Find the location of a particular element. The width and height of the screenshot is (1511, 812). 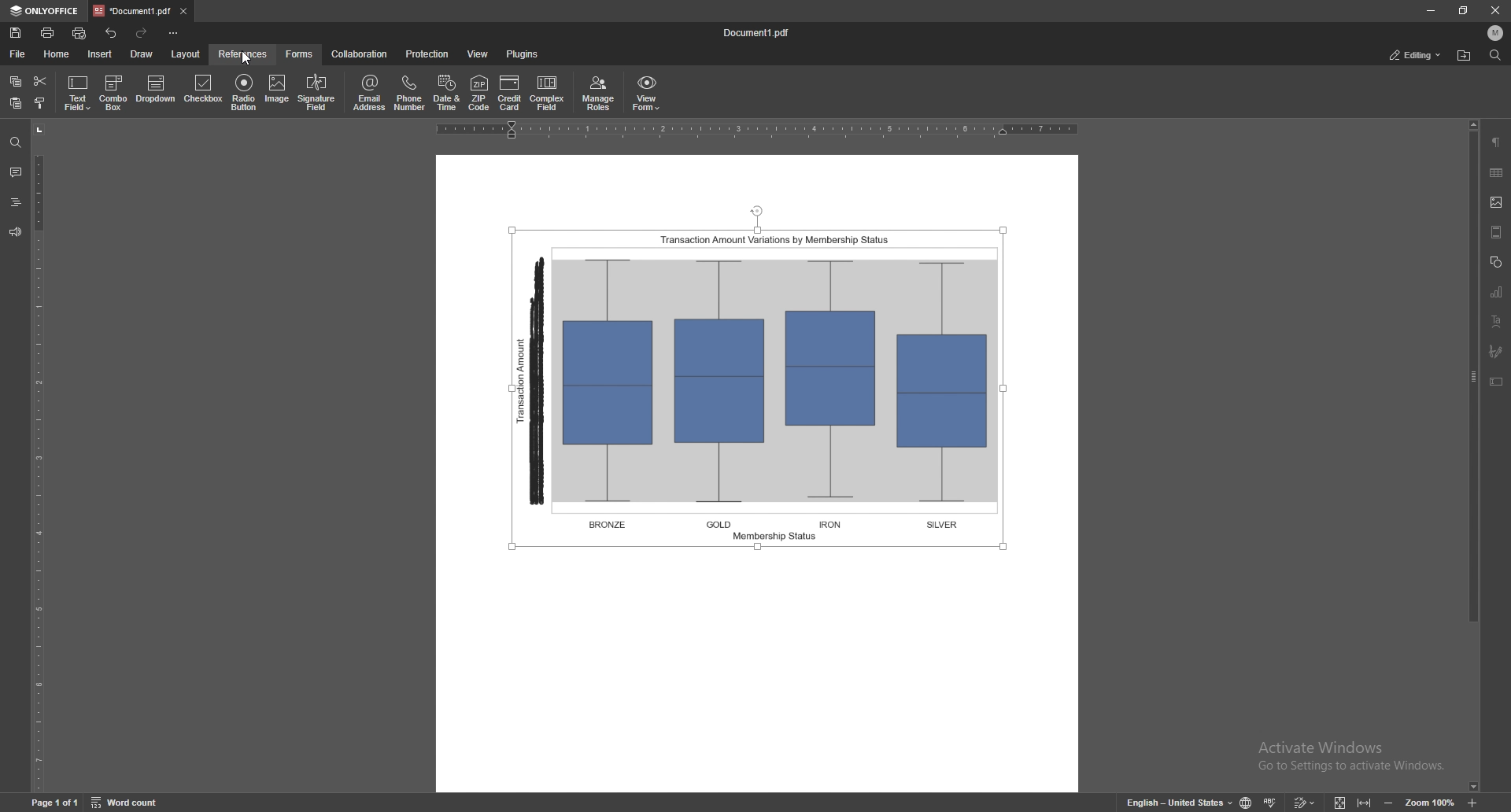

combo box is located at coordinates (113, 92).